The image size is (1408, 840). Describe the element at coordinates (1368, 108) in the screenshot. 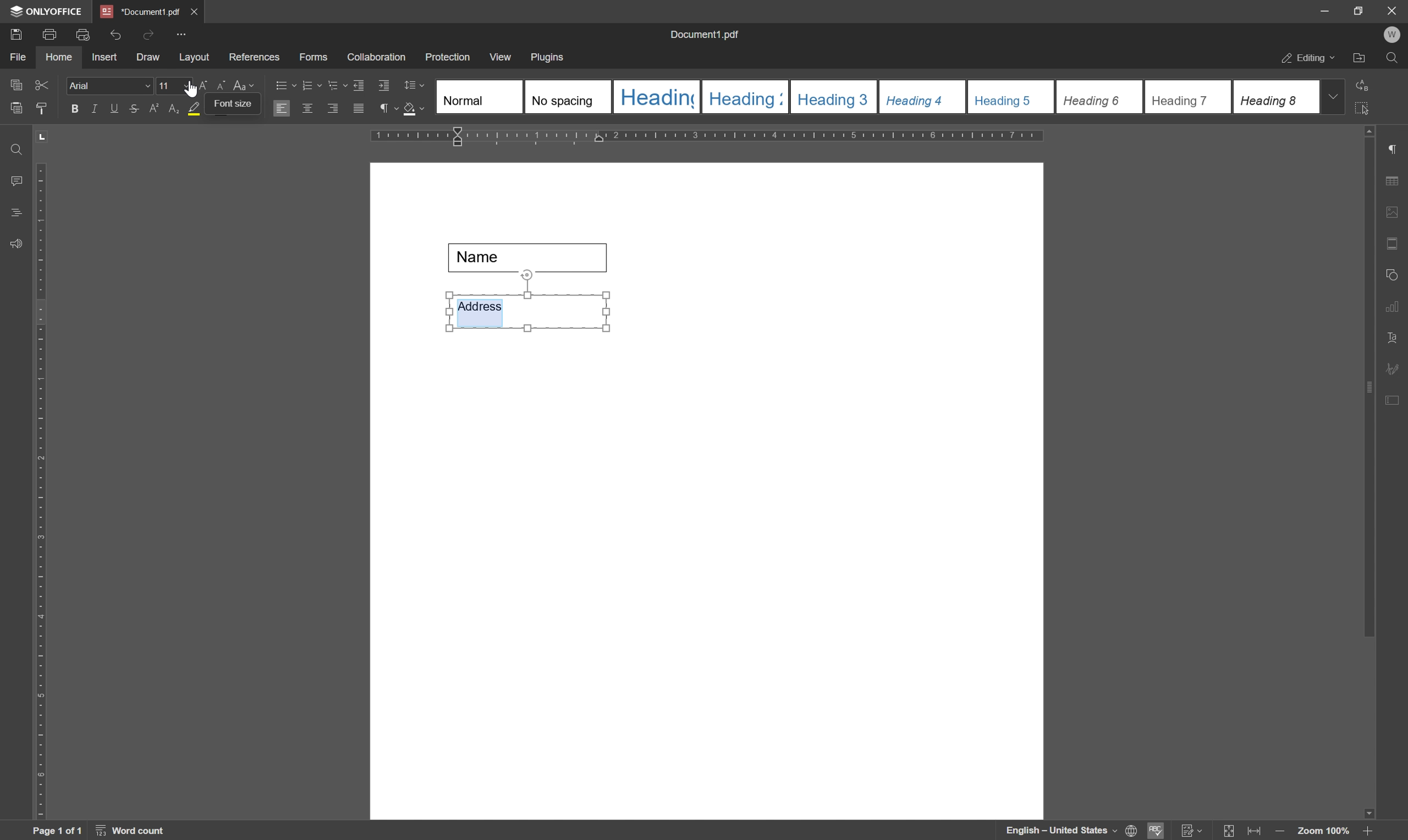

I see `select all` at that location.